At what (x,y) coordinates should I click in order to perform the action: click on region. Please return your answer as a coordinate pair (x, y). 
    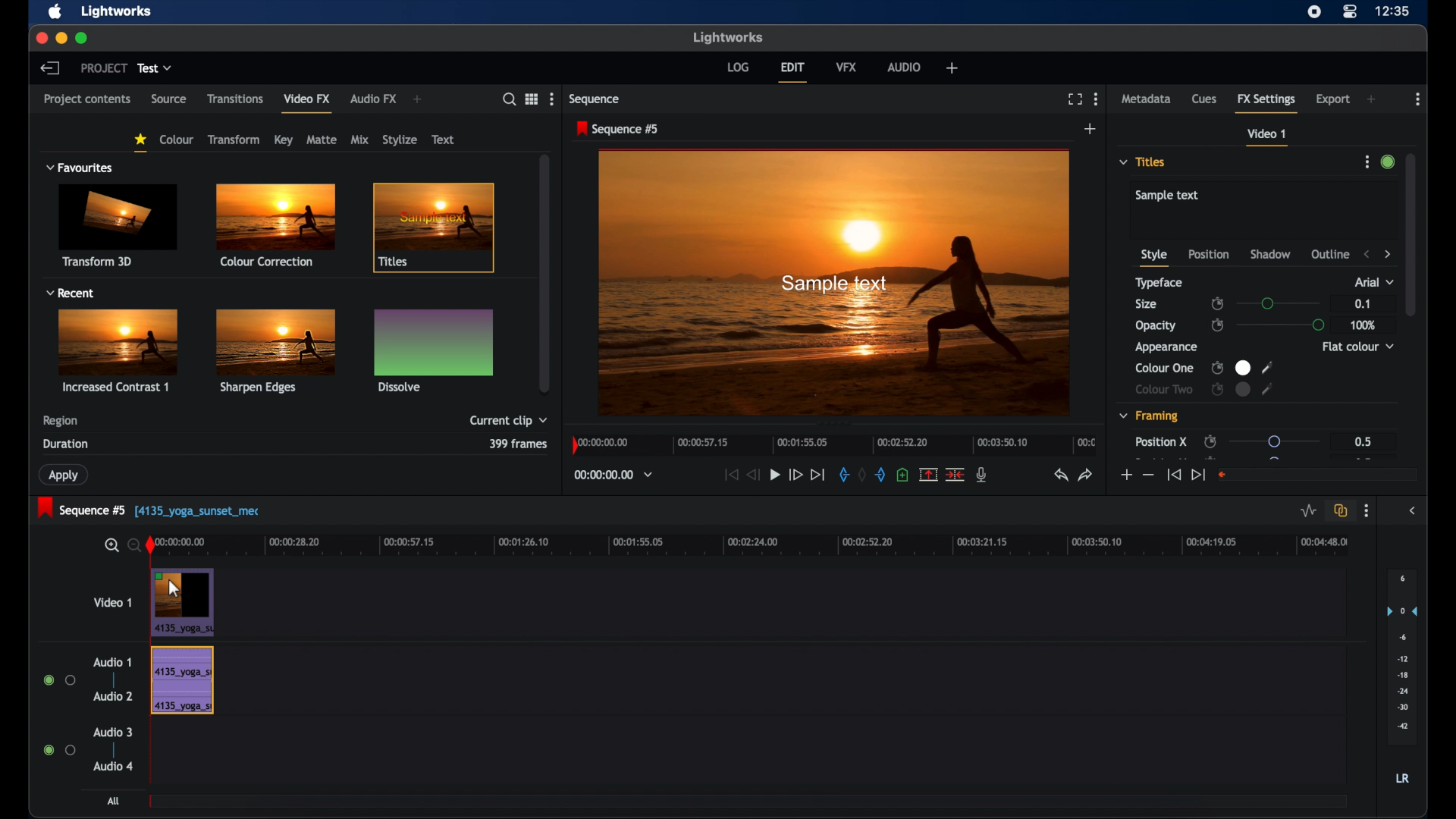
    Looking at the image, I should click on (61, 421).